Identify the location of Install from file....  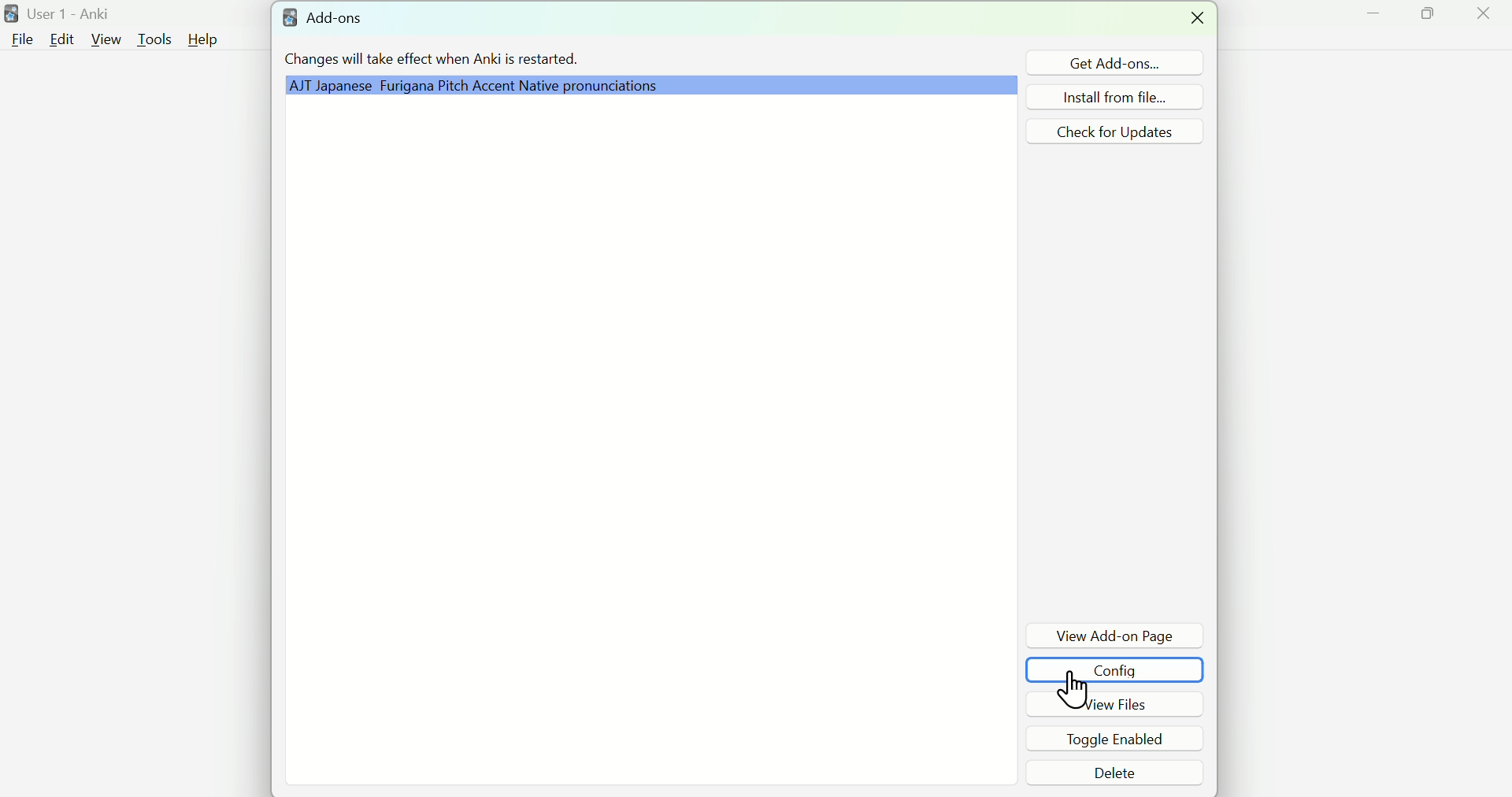
(1117, 96).